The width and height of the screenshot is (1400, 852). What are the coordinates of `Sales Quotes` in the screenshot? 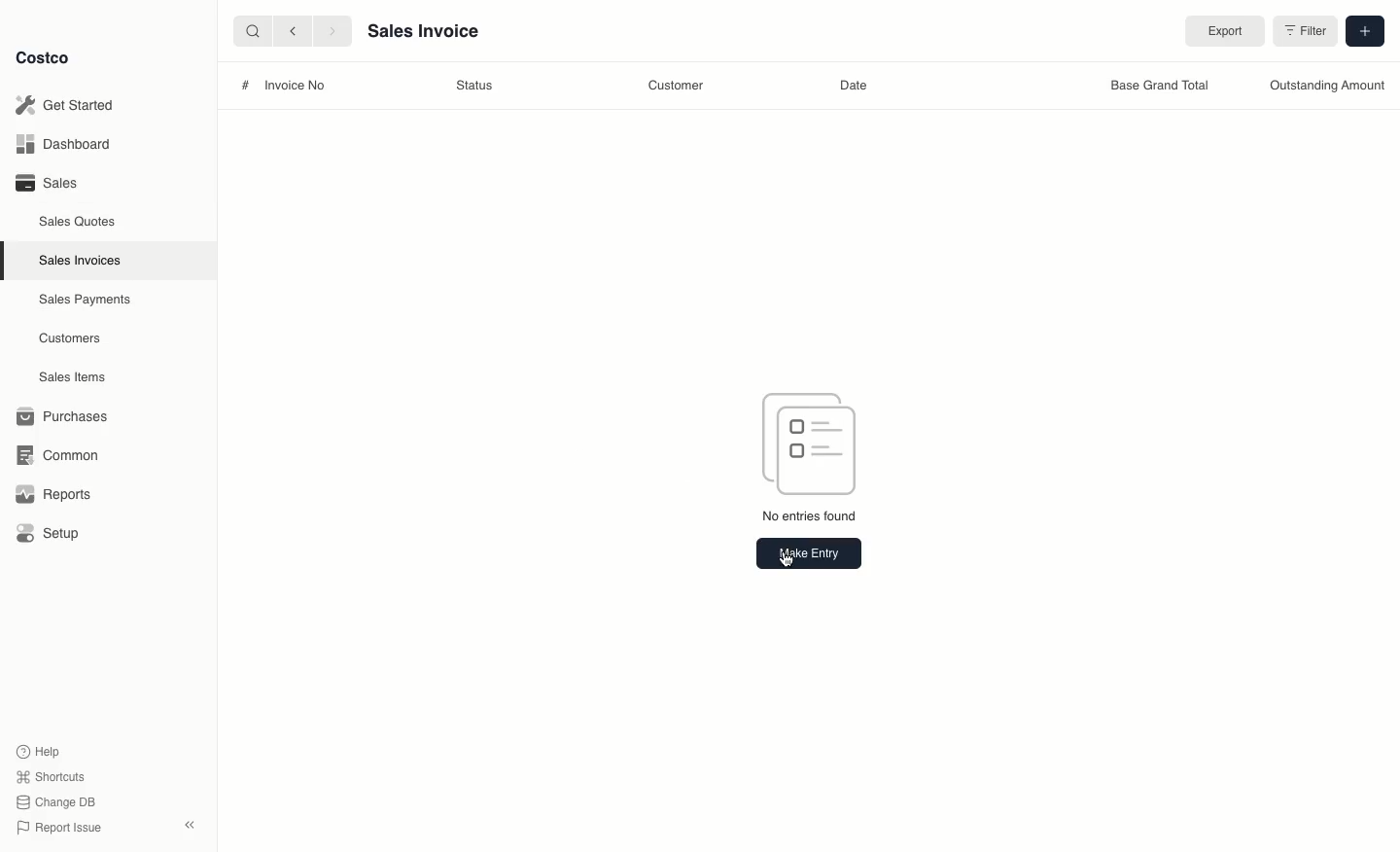 It's located at (79, 221).